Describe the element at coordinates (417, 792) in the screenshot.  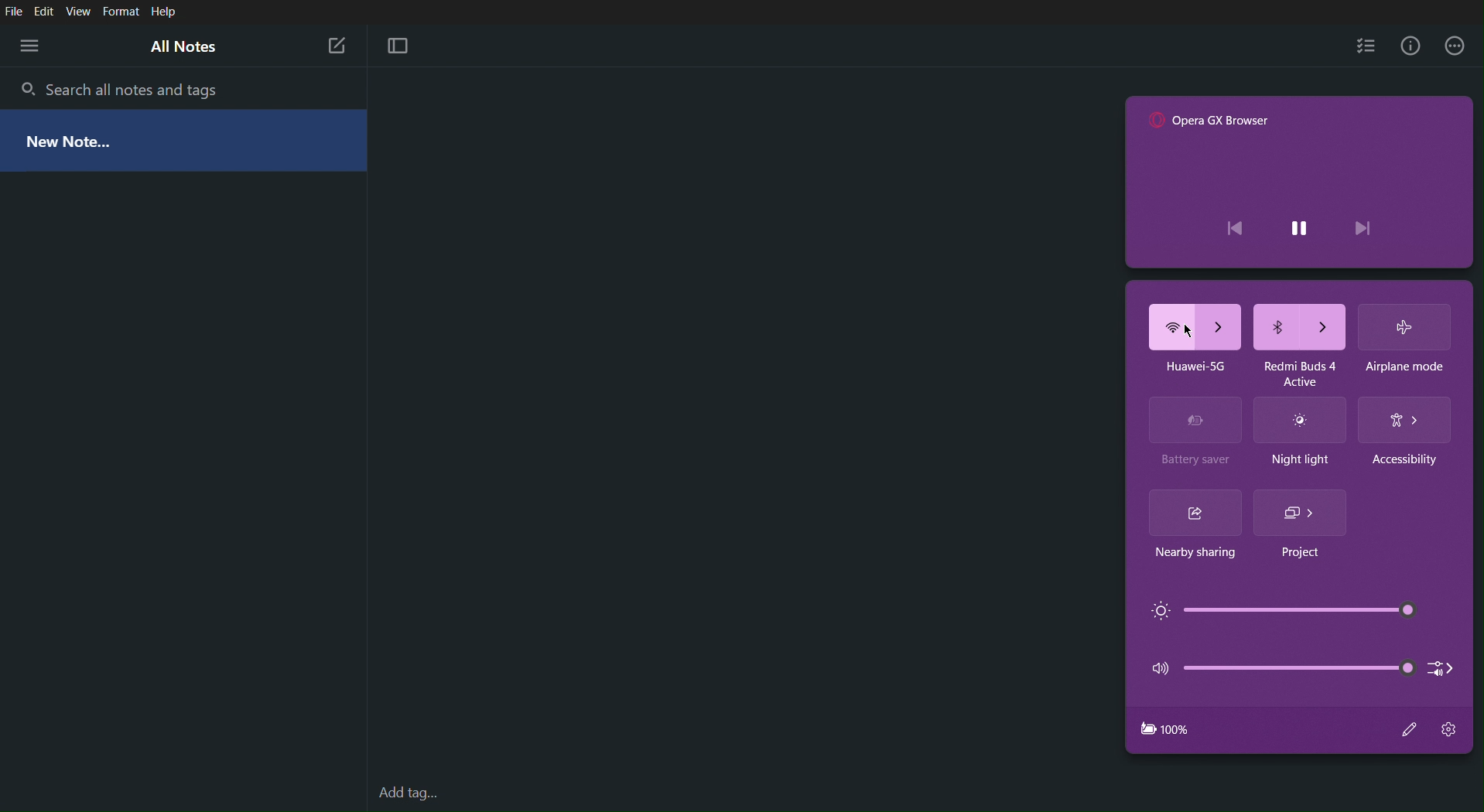
I see `Add tag...` at that location.